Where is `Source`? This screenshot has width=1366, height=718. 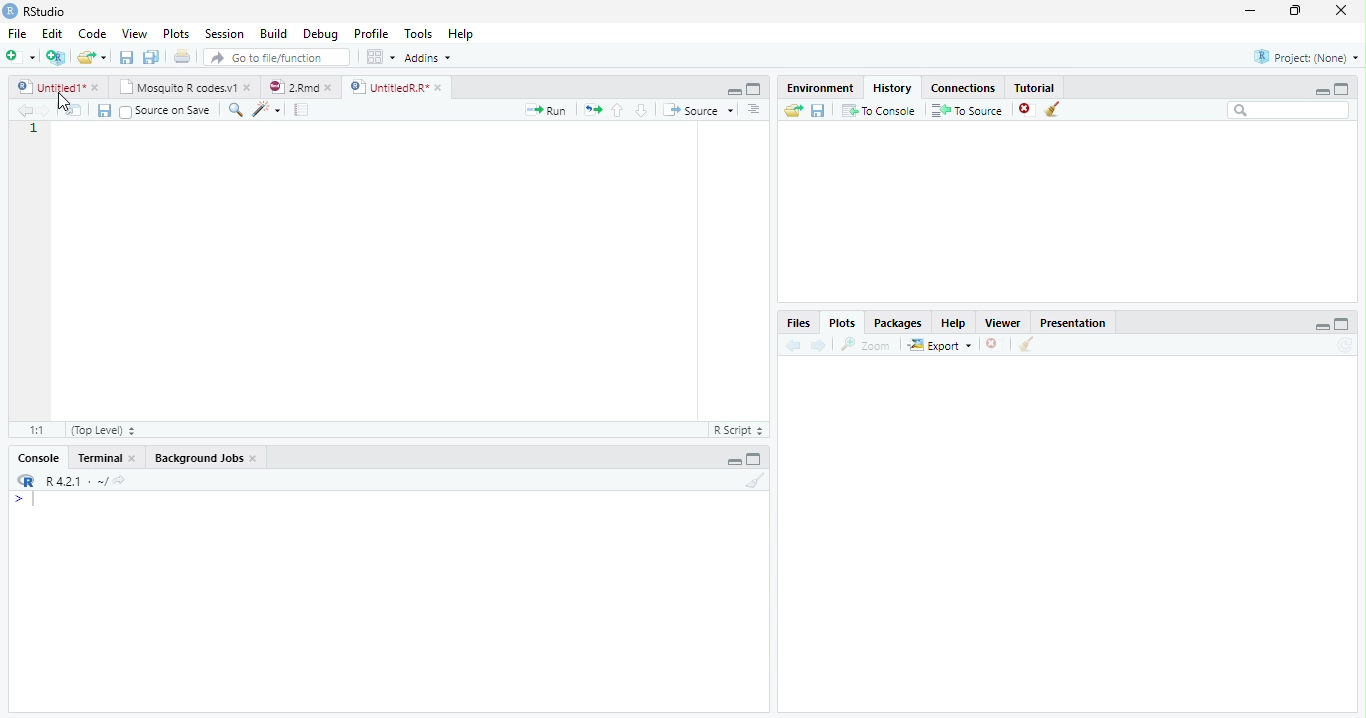
Source is located at coordinates (698, 110).